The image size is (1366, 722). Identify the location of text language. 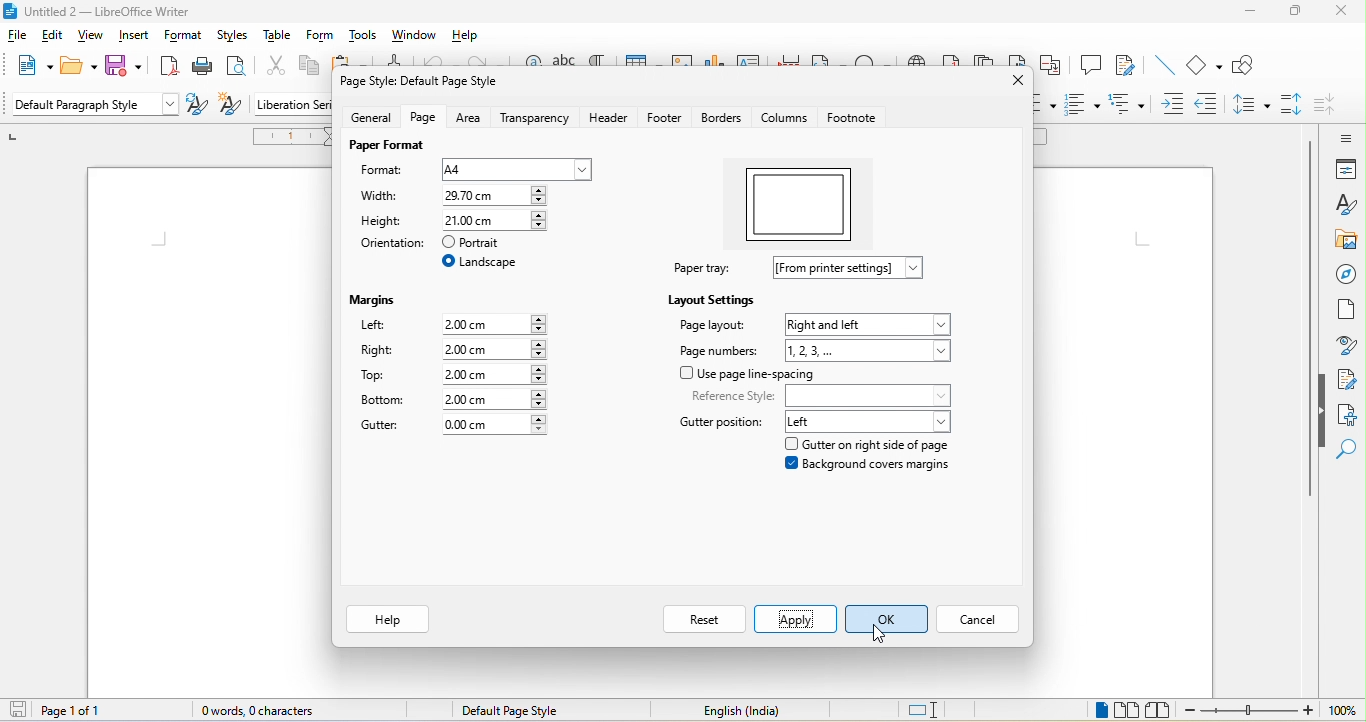
(742, 712).